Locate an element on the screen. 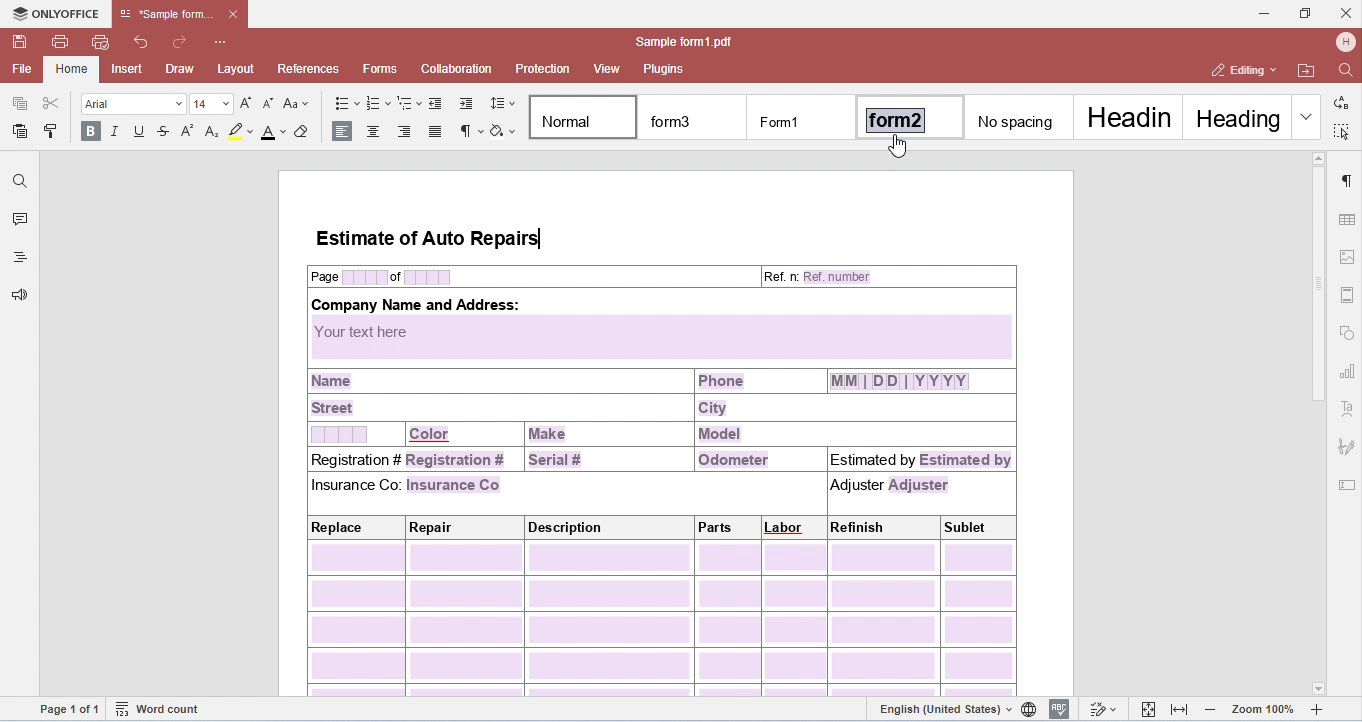 The width and height of the screenshot is (1362, 722). vertical scroll bar is located at coordinates (1319, 299).